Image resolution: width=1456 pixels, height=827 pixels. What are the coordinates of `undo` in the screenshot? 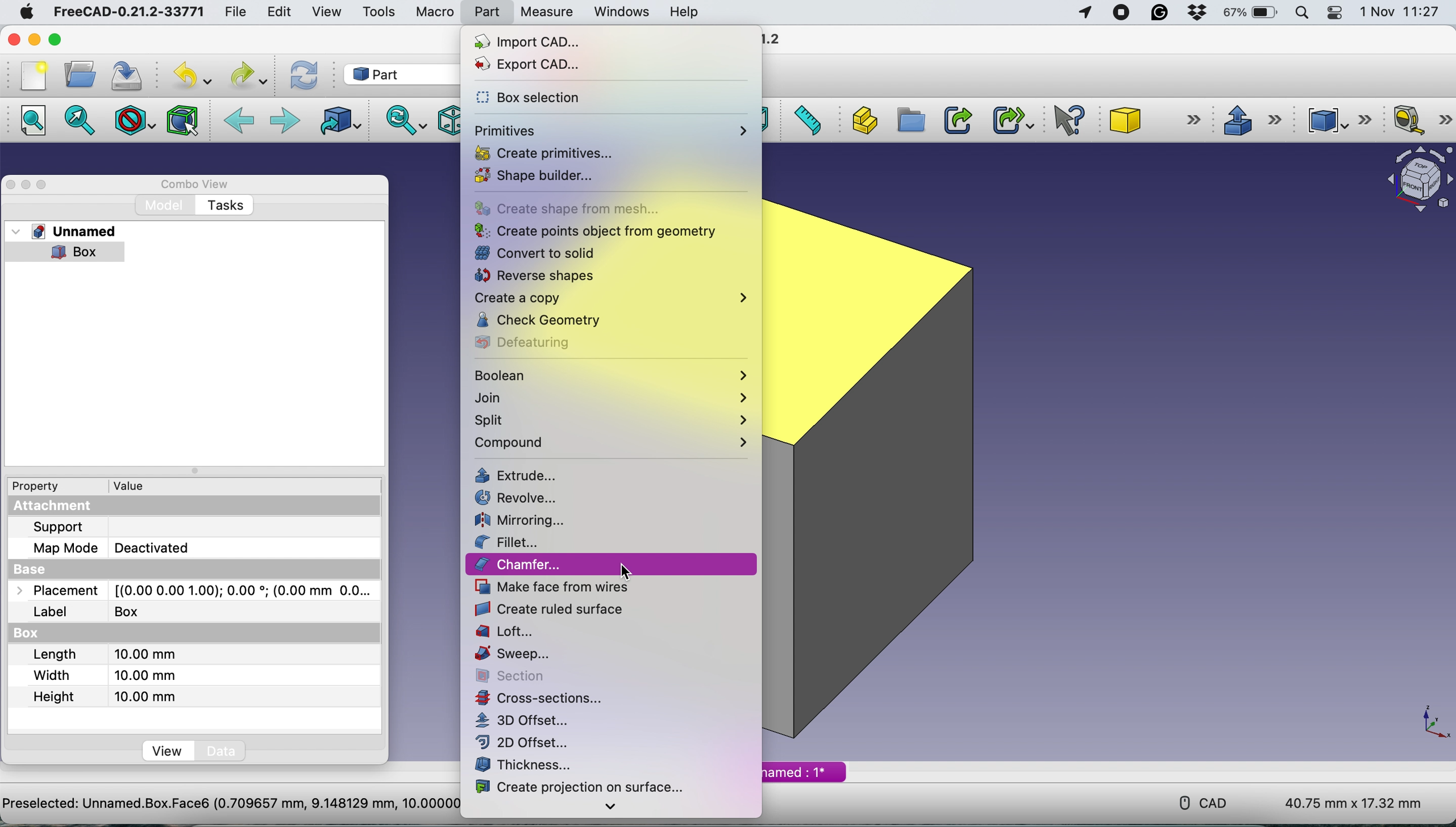 It's located at (187, 76).